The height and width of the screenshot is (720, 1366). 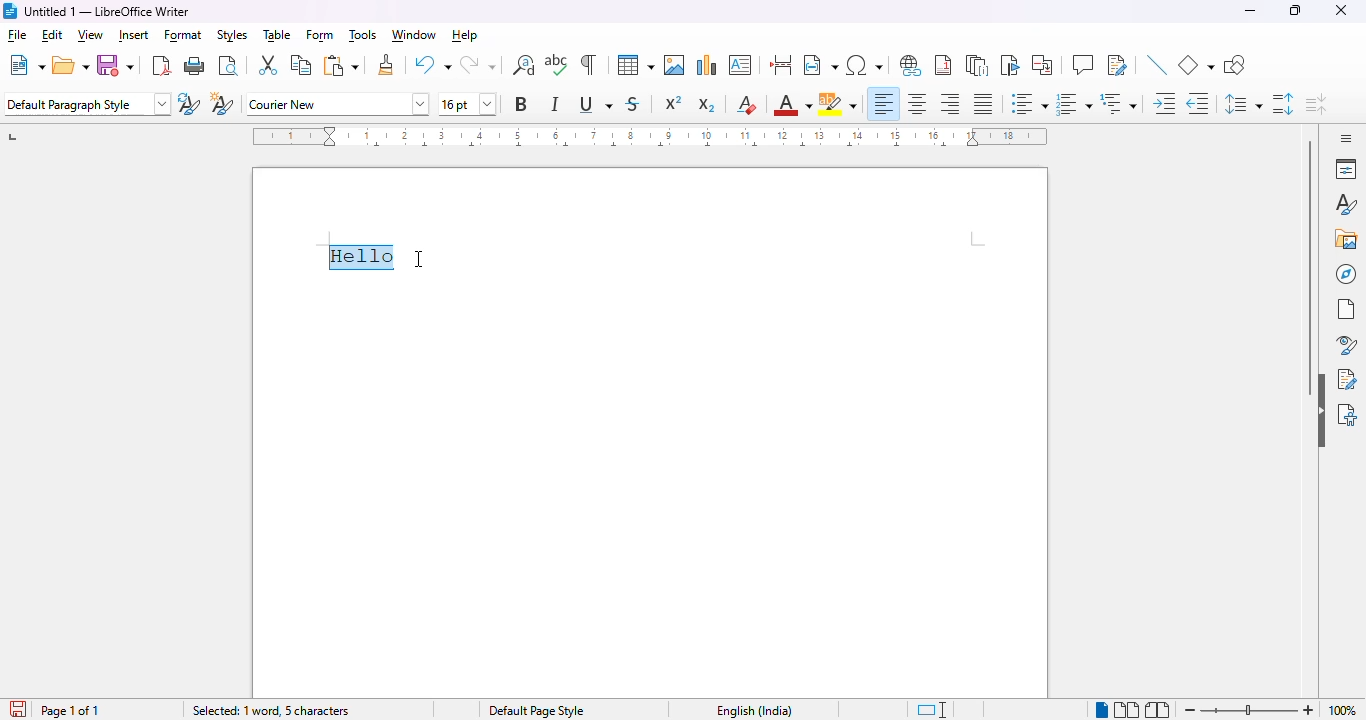 What do you see at coordinates (793, 104) in the screenshot?
I see `font color` at bounding box center [793, 104].